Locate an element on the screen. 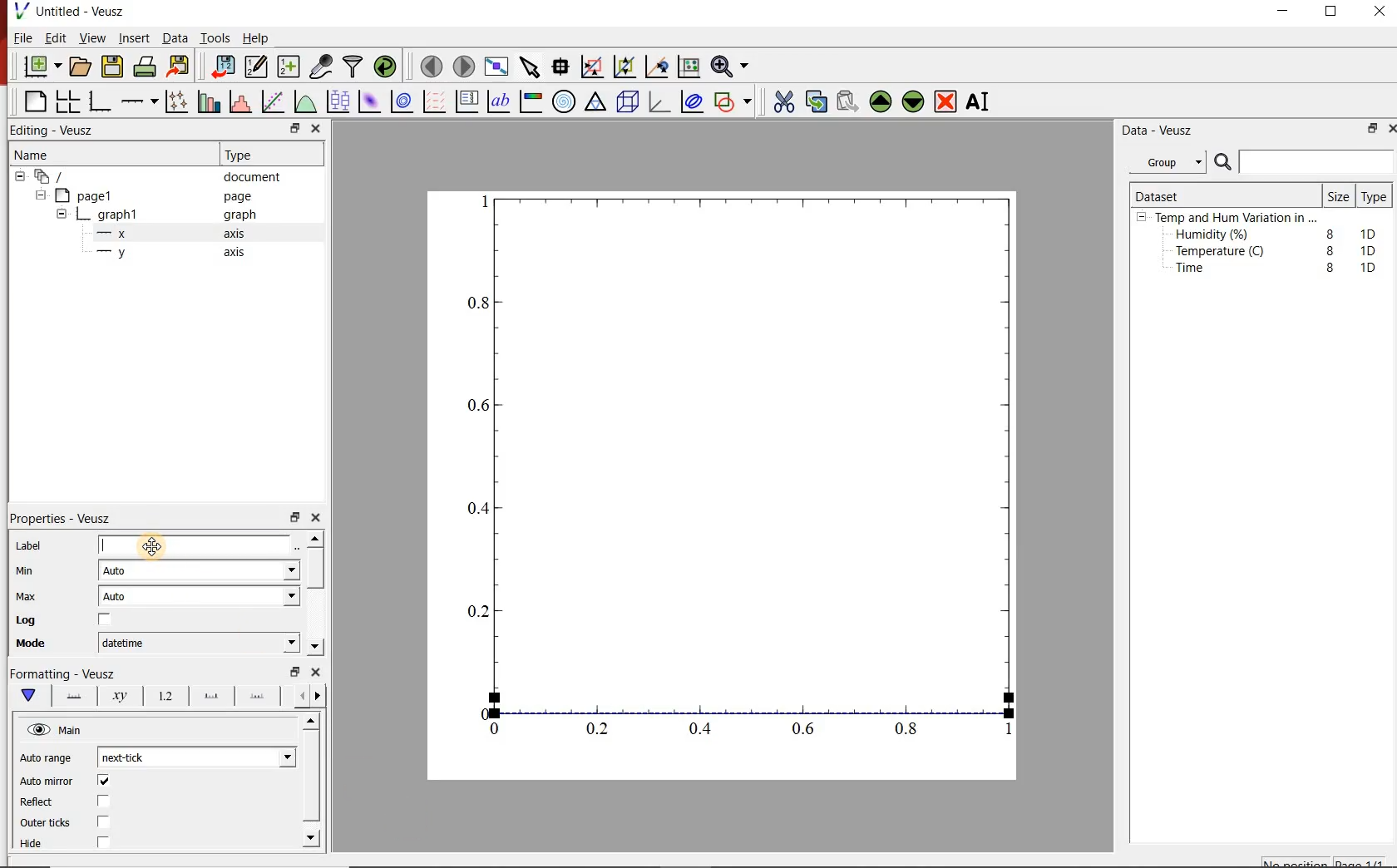 This screenshot has width=1397, height=868. axis label is located at coordinates (121, 698).